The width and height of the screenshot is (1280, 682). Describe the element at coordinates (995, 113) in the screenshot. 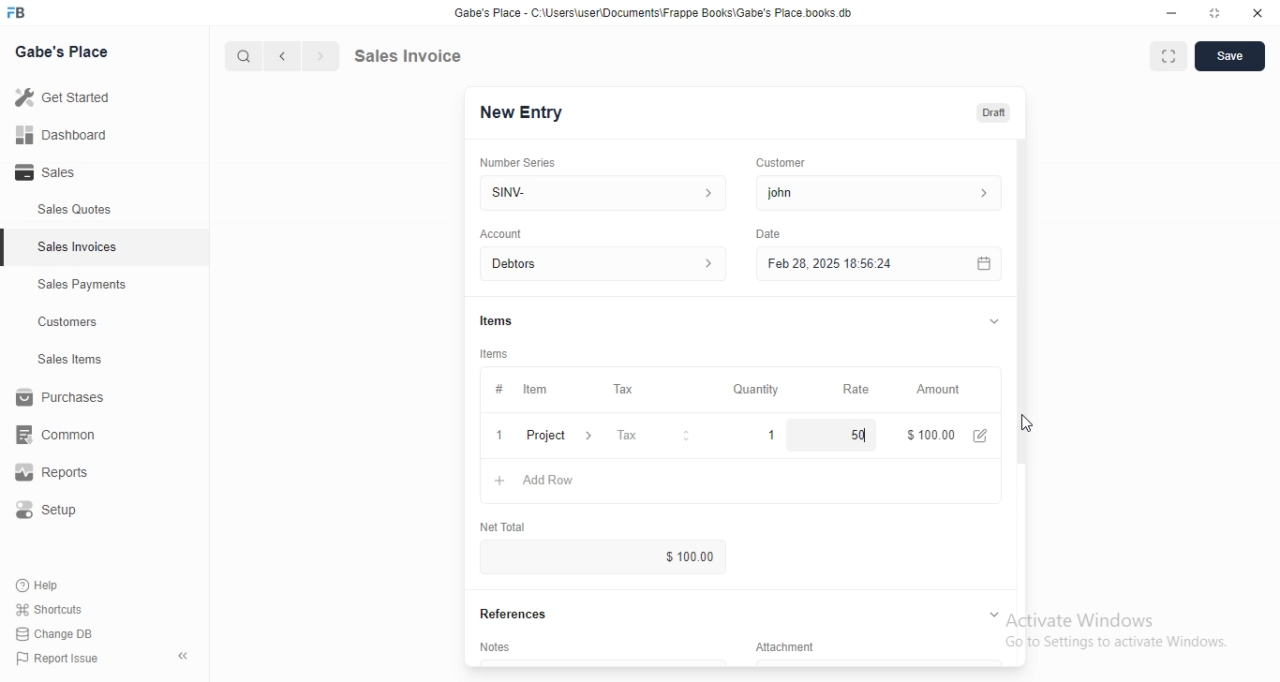

I see `Draft` at that location.